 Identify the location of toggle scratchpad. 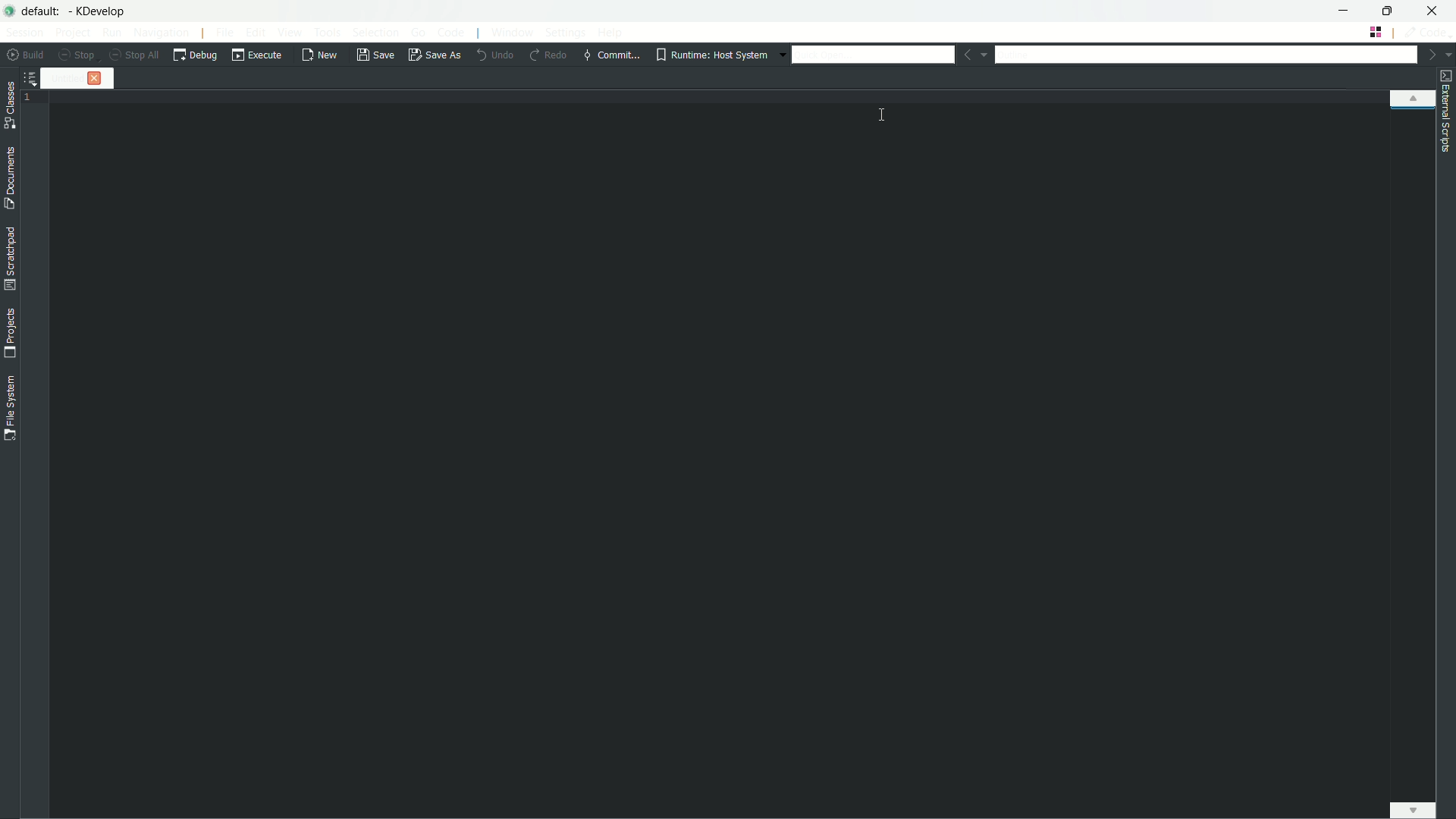
(11, 260).